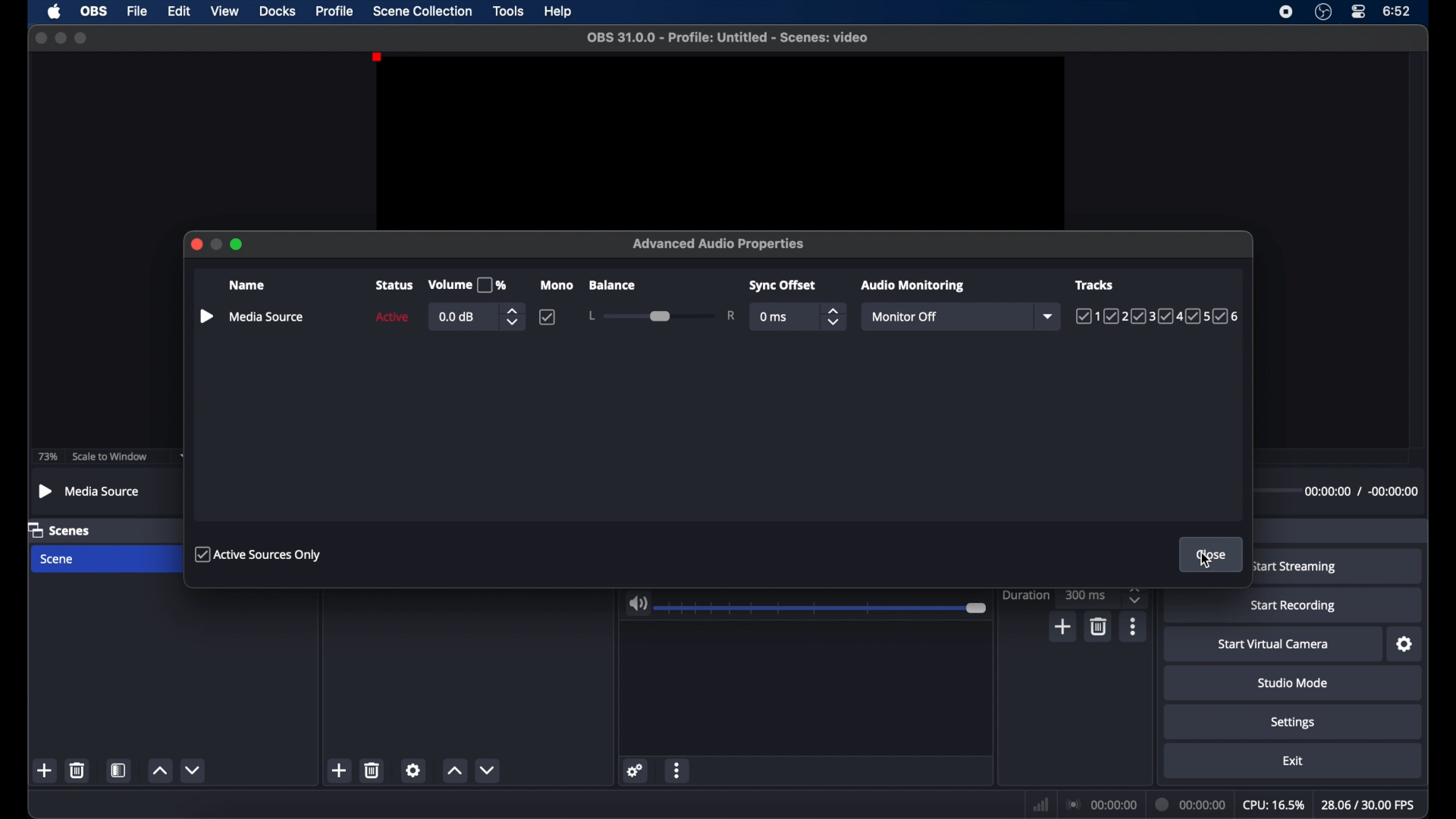  What do you see at coordinates (728, 38) in the screenshot?
I see `filename` at bounding box center [728, 38].